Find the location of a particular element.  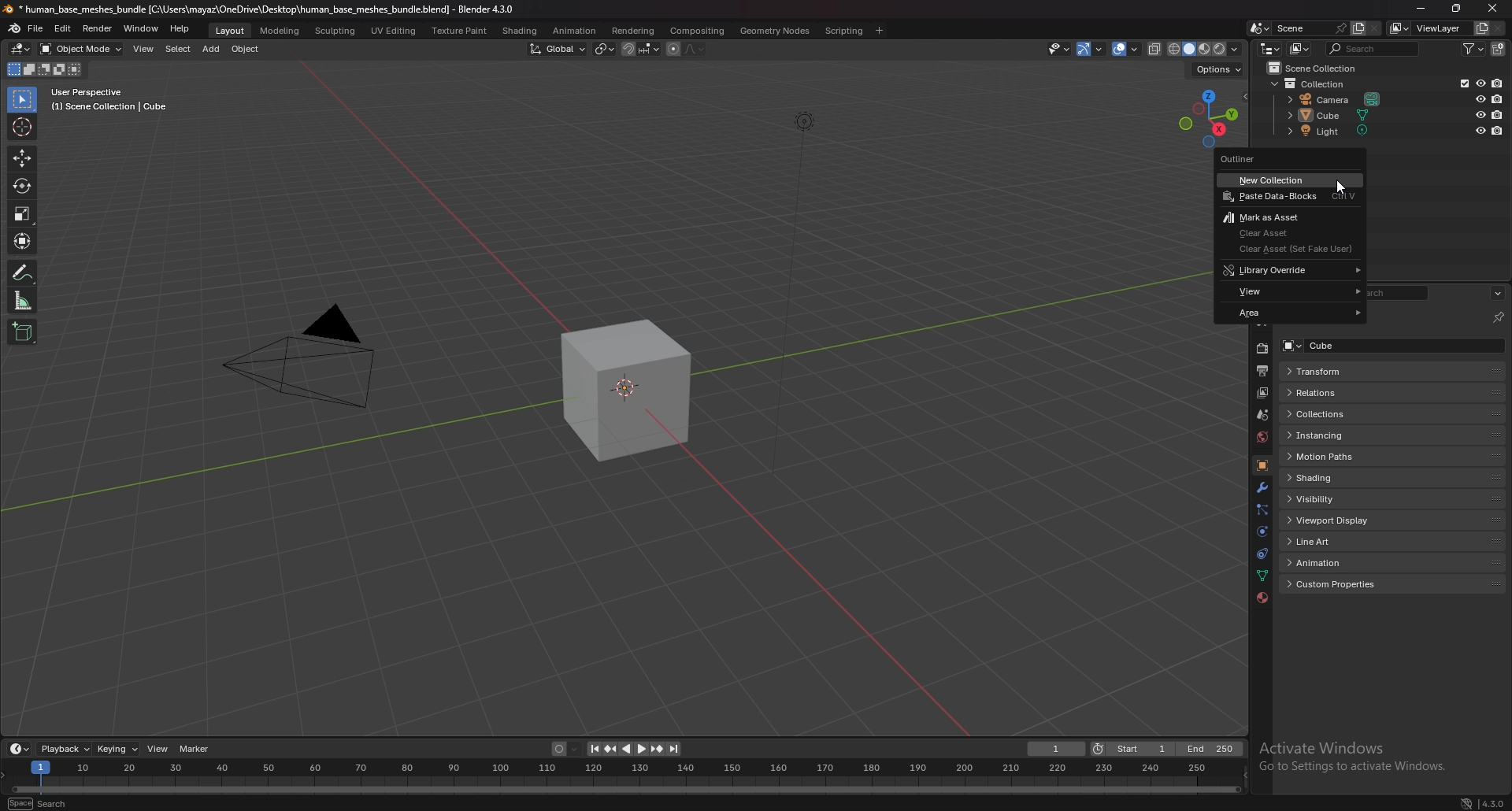

visibility is located at coordinates (1332, 499).